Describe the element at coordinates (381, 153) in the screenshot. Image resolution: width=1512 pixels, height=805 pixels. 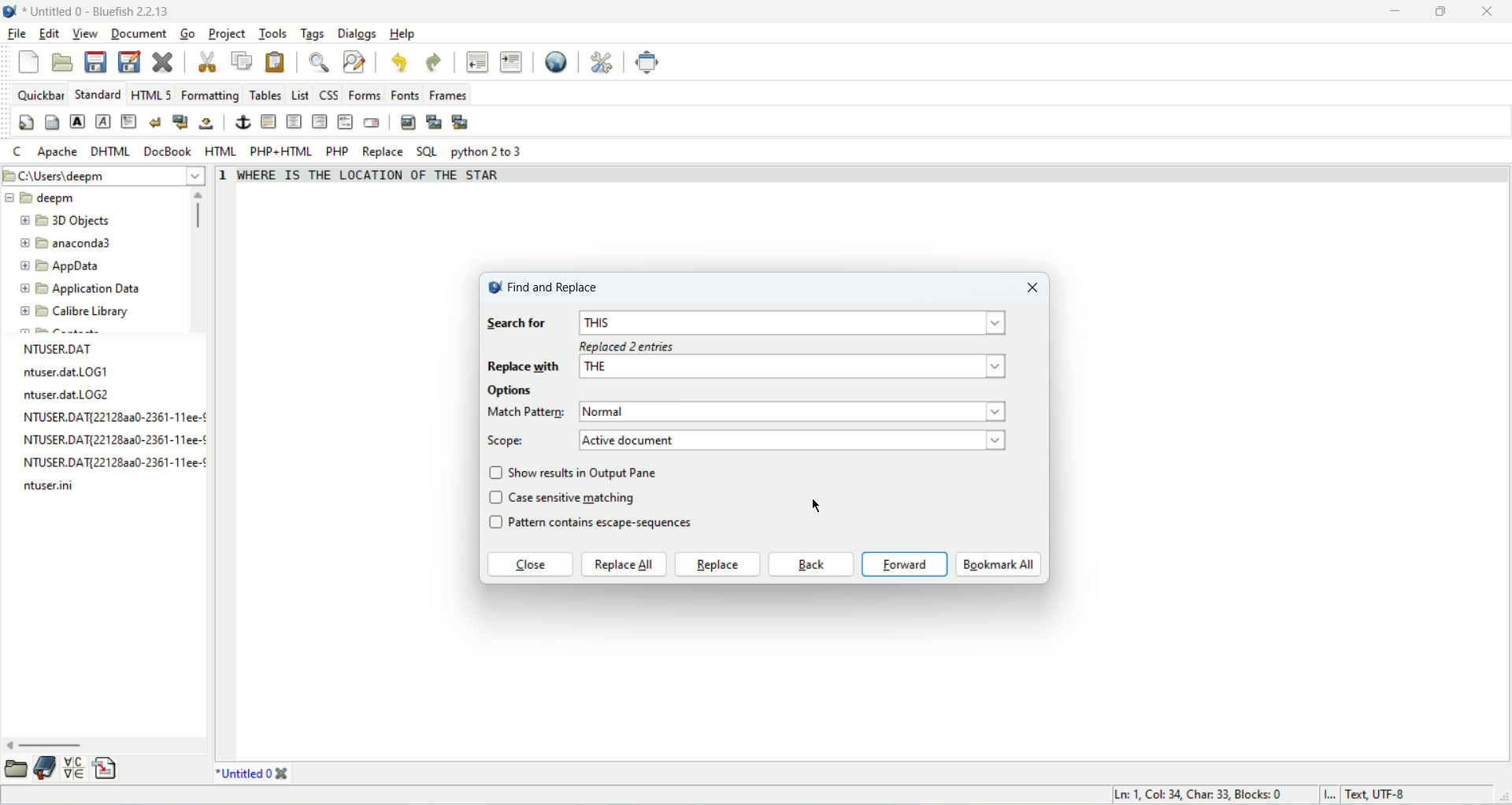
I see `replace` at that location.